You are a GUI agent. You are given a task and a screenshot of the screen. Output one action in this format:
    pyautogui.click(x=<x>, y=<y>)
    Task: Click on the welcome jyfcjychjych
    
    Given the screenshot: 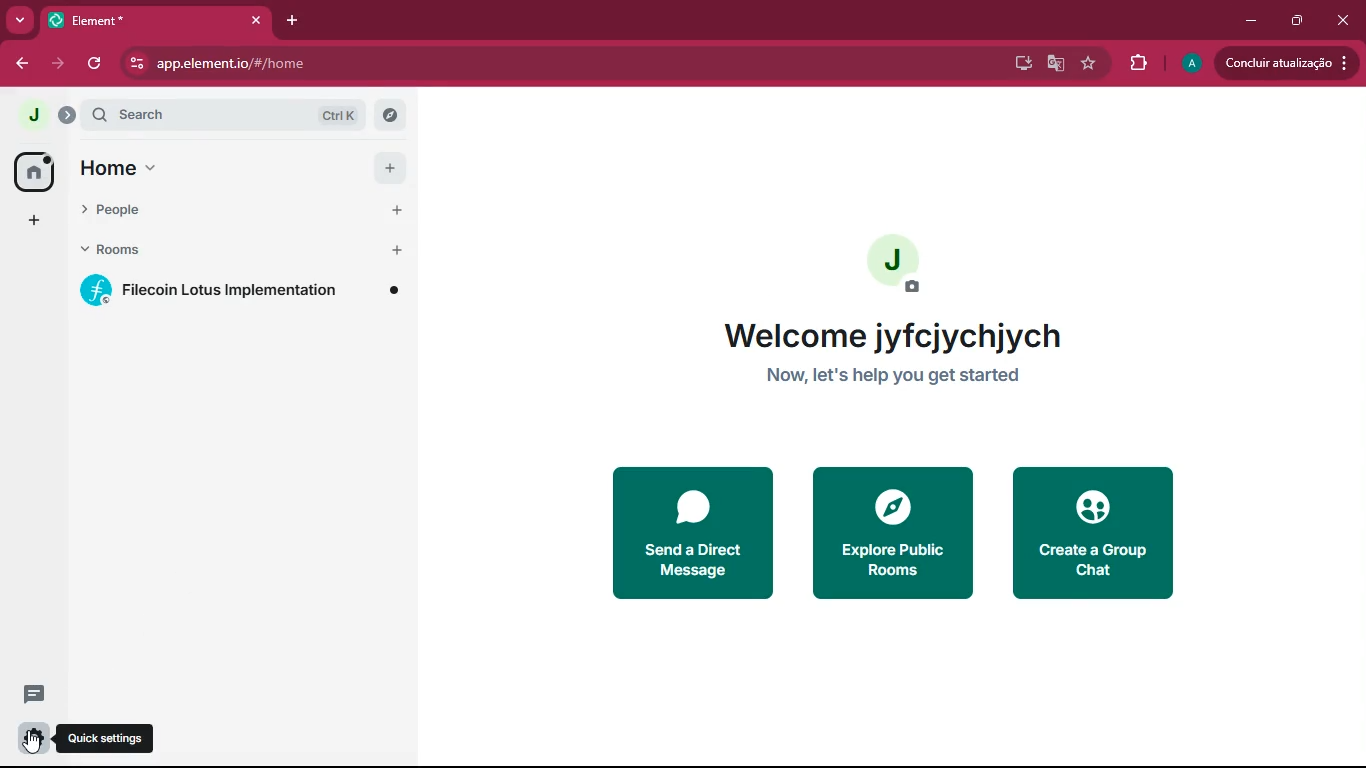 What is the action you would take?
    pyautogui.click(x=889, y=331)
    